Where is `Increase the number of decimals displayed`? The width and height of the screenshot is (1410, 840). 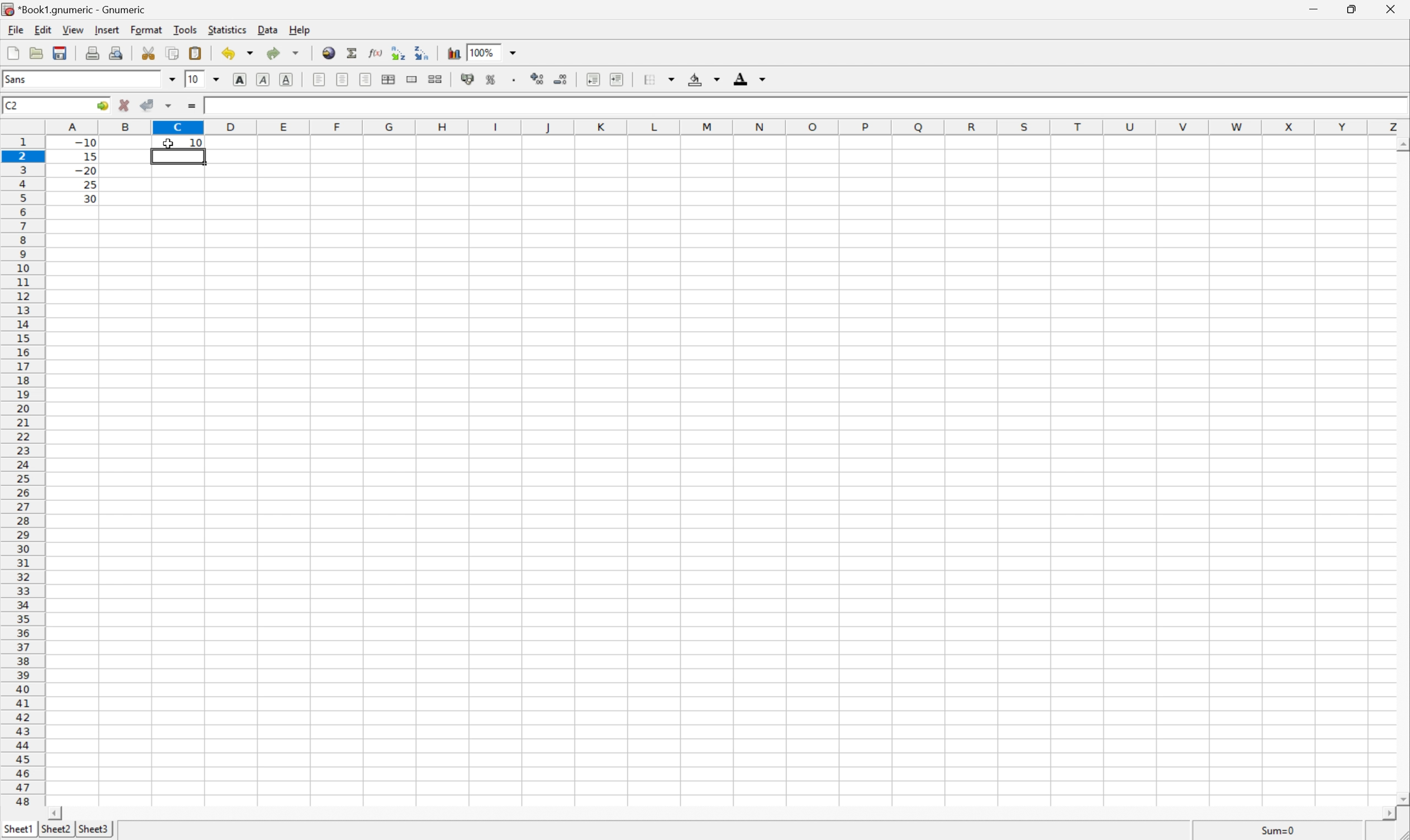
Increase the number of decimals displayed is located at coordinates (540, 80).